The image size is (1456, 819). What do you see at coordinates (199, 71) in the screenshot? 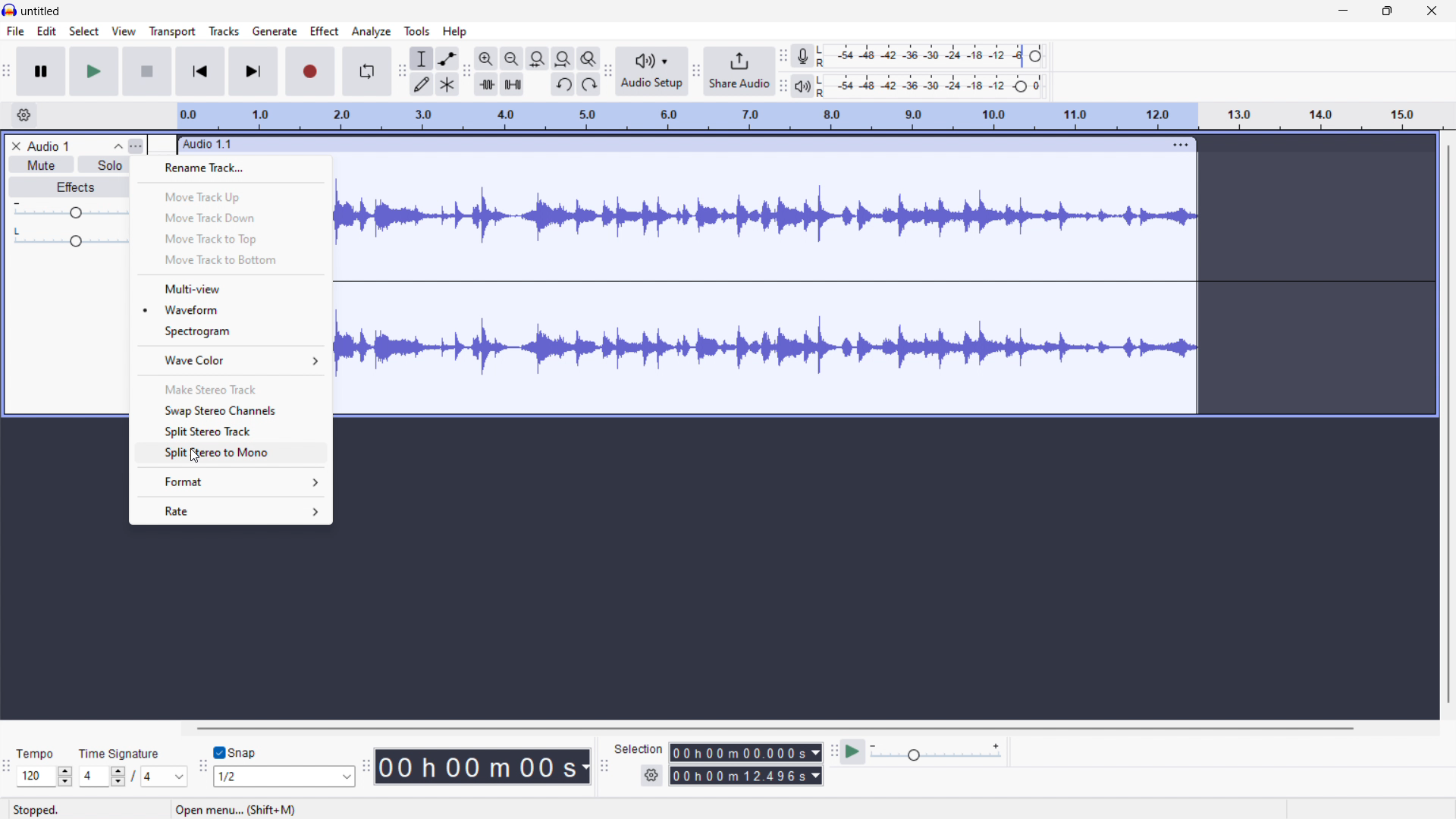
I see `skip to start` at bounding box center [199, 71].